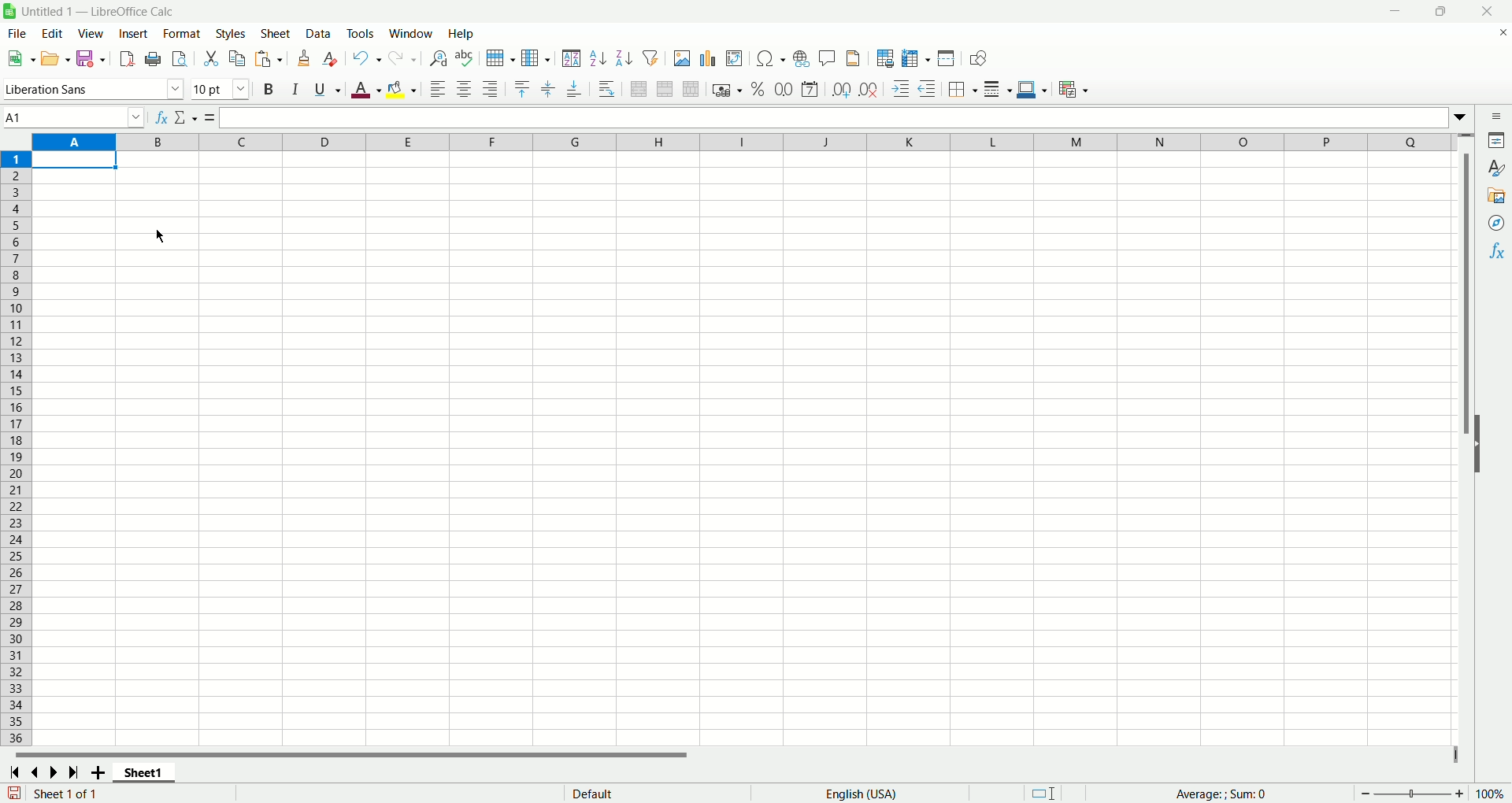 The width and height of the screenshot is (1512, 803). What do you see at coordinates (91, 33) in the screenshot?
I see `view` at bounding box center [91, 33].